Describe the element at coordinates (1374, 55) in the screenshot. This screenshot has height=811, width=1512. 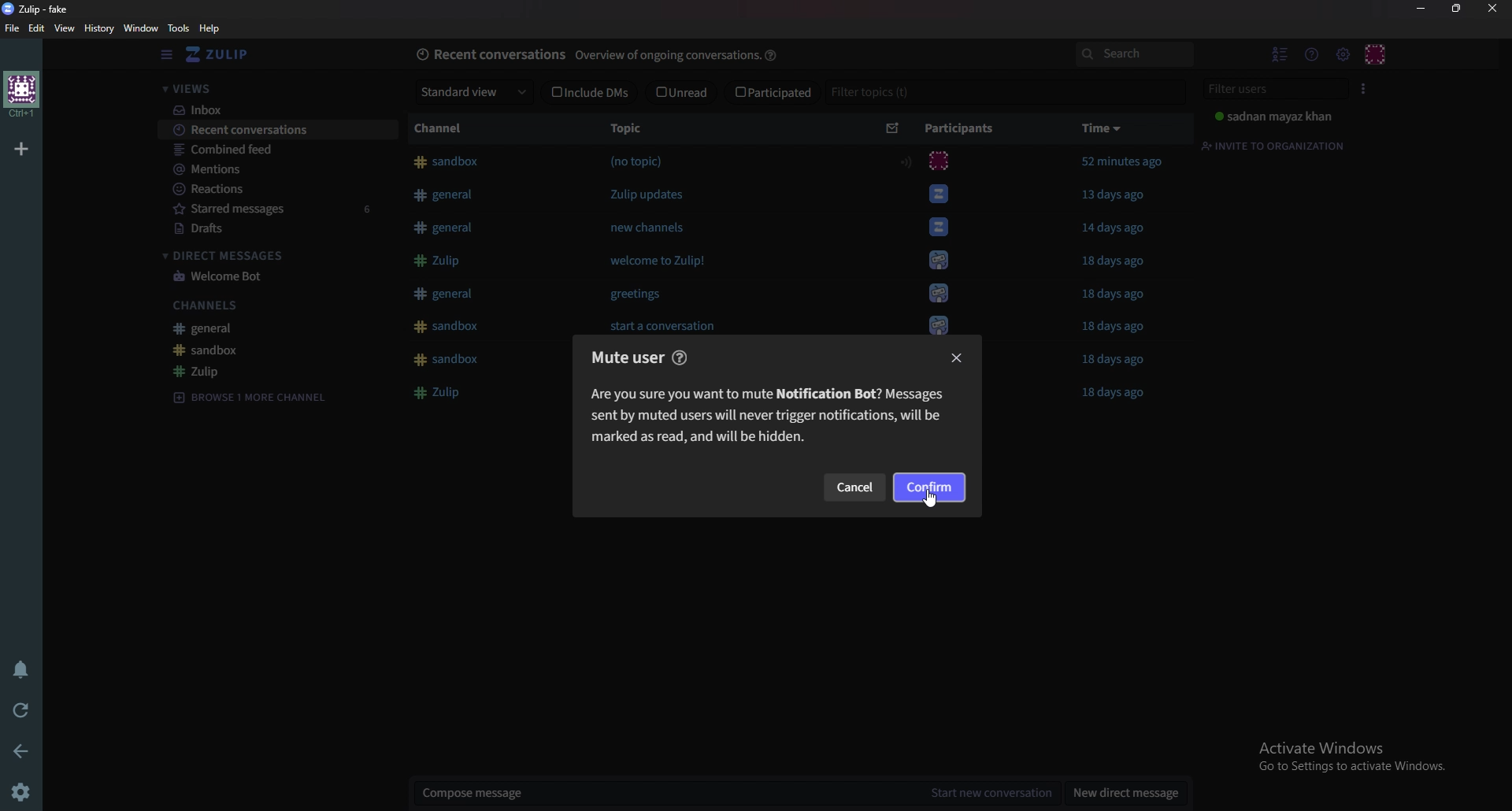
I see `Personal menu` at that location.